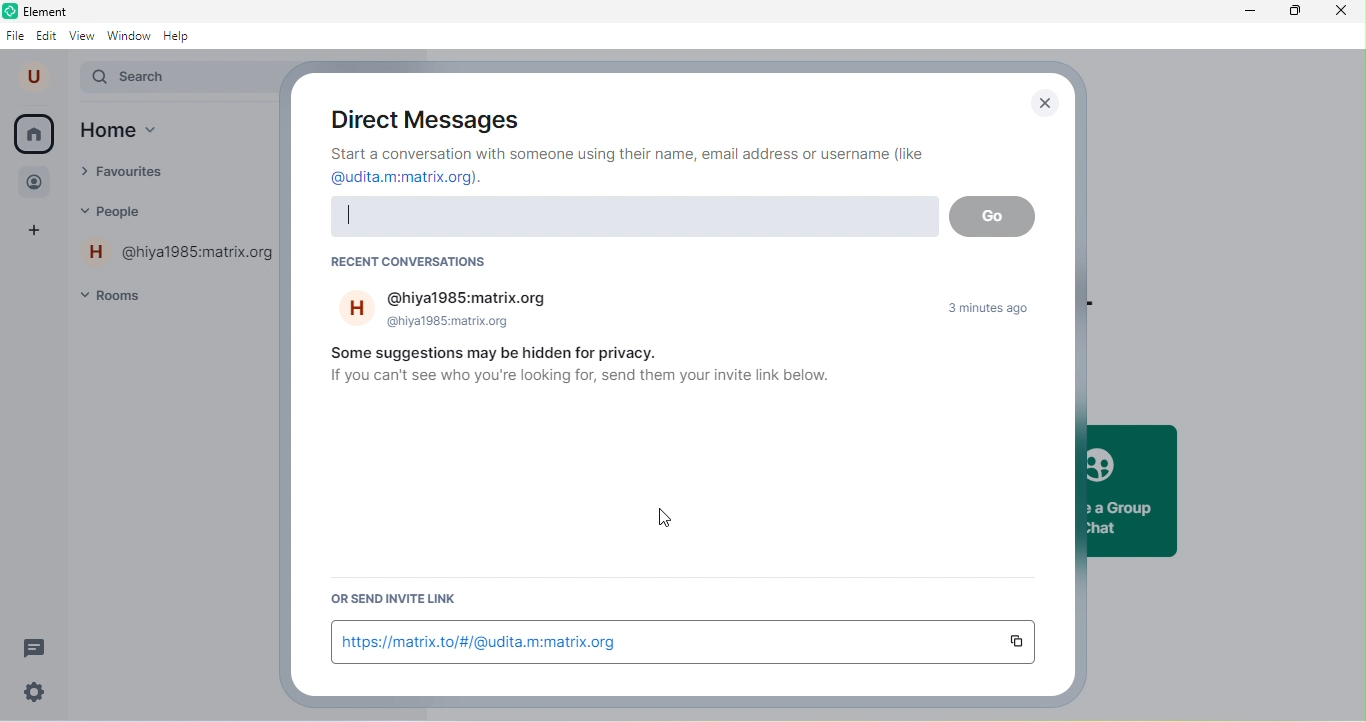  What do you see at coordinates (129, 35) in the screenshot?
I see `window` at bounding box center [129, 35].